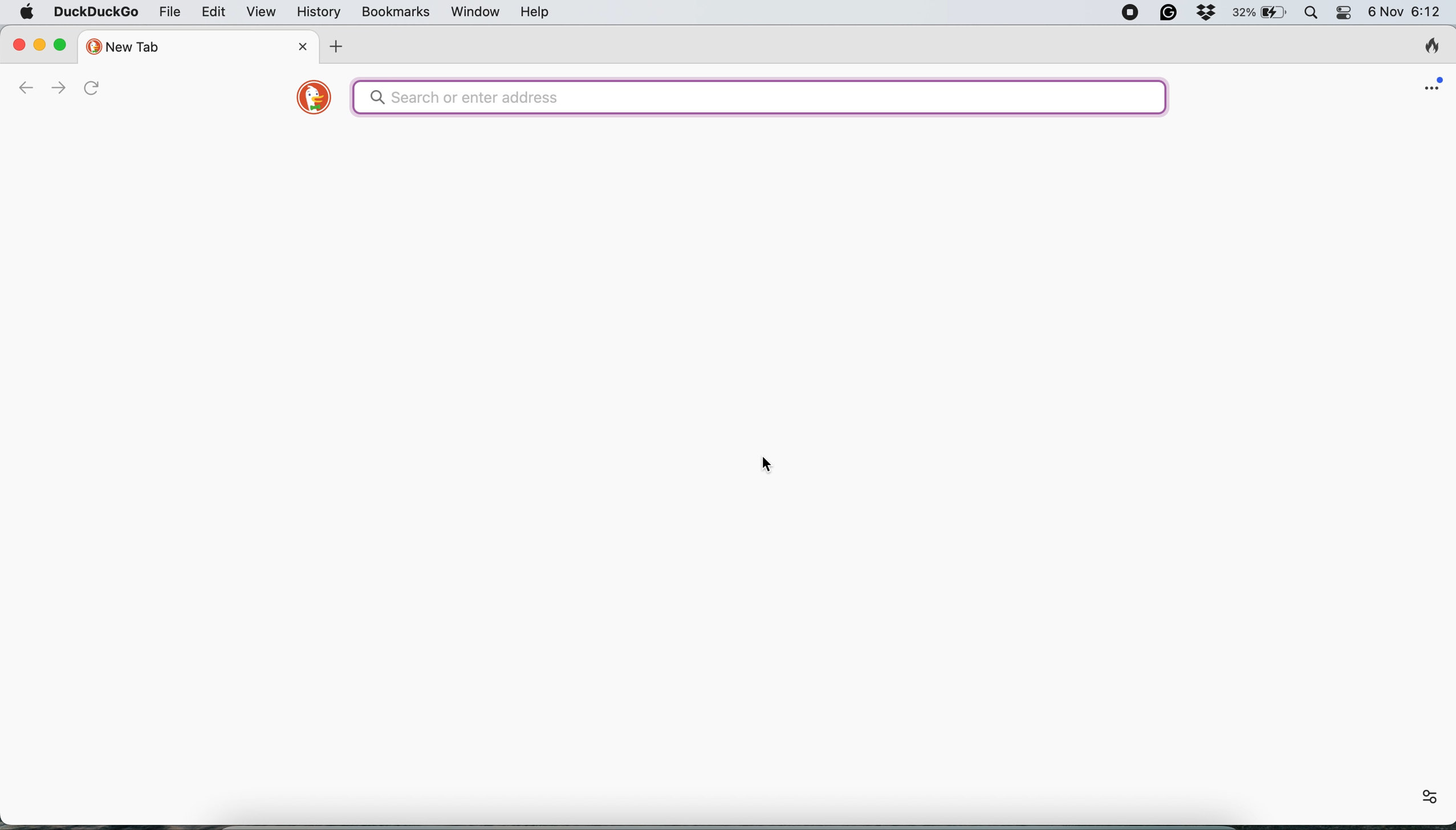 This screenshot has height=830, width=1456. What do you see at coordinates (95, 13) in the screenshot?
I see `duckduckgo` at bounding box center [95, 13].